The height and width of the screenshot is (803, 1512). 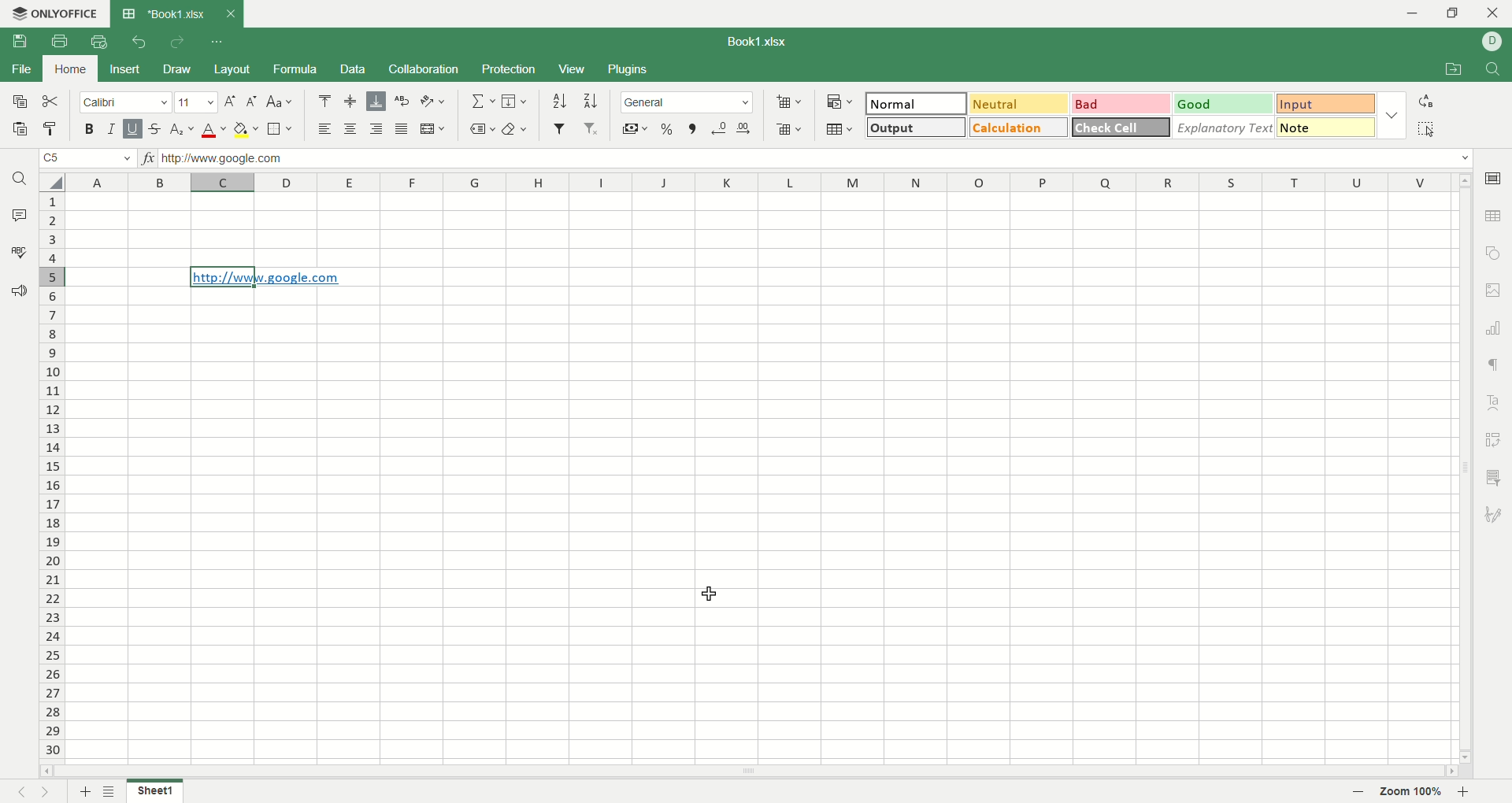 What do you see at coordinates (789, 131) in the screenshot?
I see `delete cell` at bounding box center [789, 131].